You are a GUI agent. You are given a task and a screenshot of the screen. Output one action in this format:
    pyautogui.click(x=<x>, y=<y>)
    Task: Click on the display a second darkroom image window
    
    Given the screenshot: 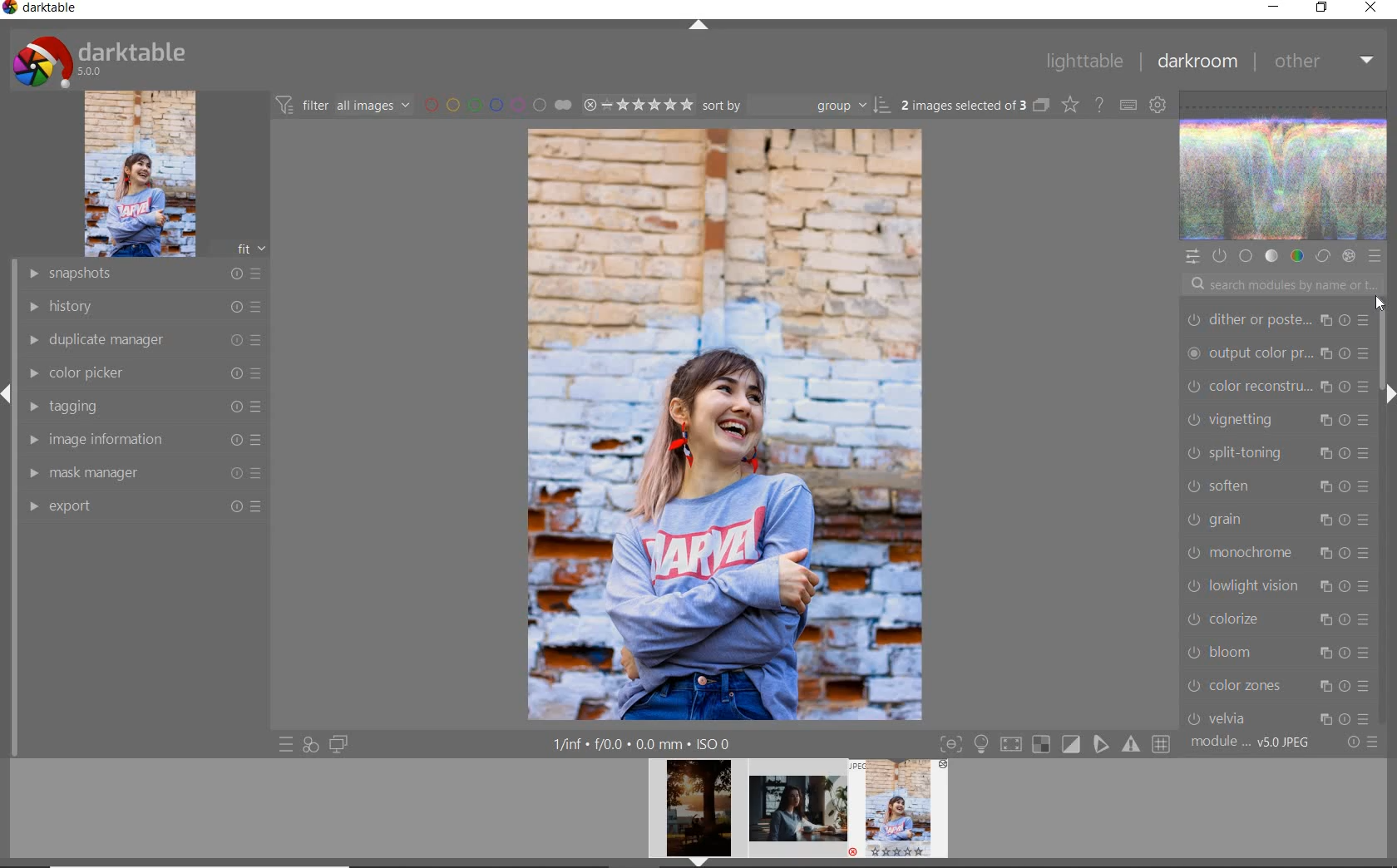 What is the action you would take?
    pyautogui.click(x=339, y=744)
    